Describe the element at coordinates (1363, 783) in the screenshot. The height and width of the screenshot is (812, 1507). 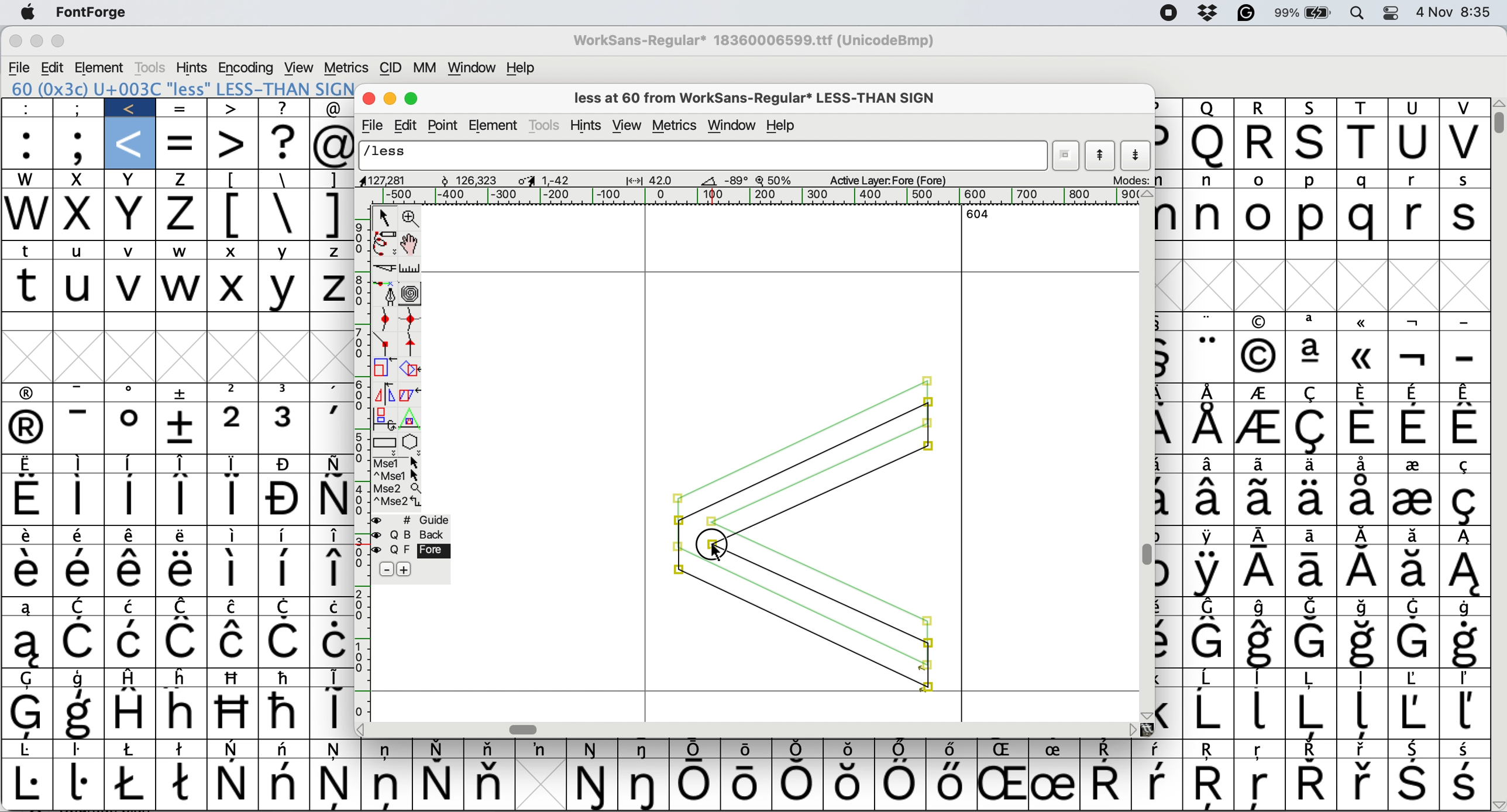
I see `Symbol` at that location.